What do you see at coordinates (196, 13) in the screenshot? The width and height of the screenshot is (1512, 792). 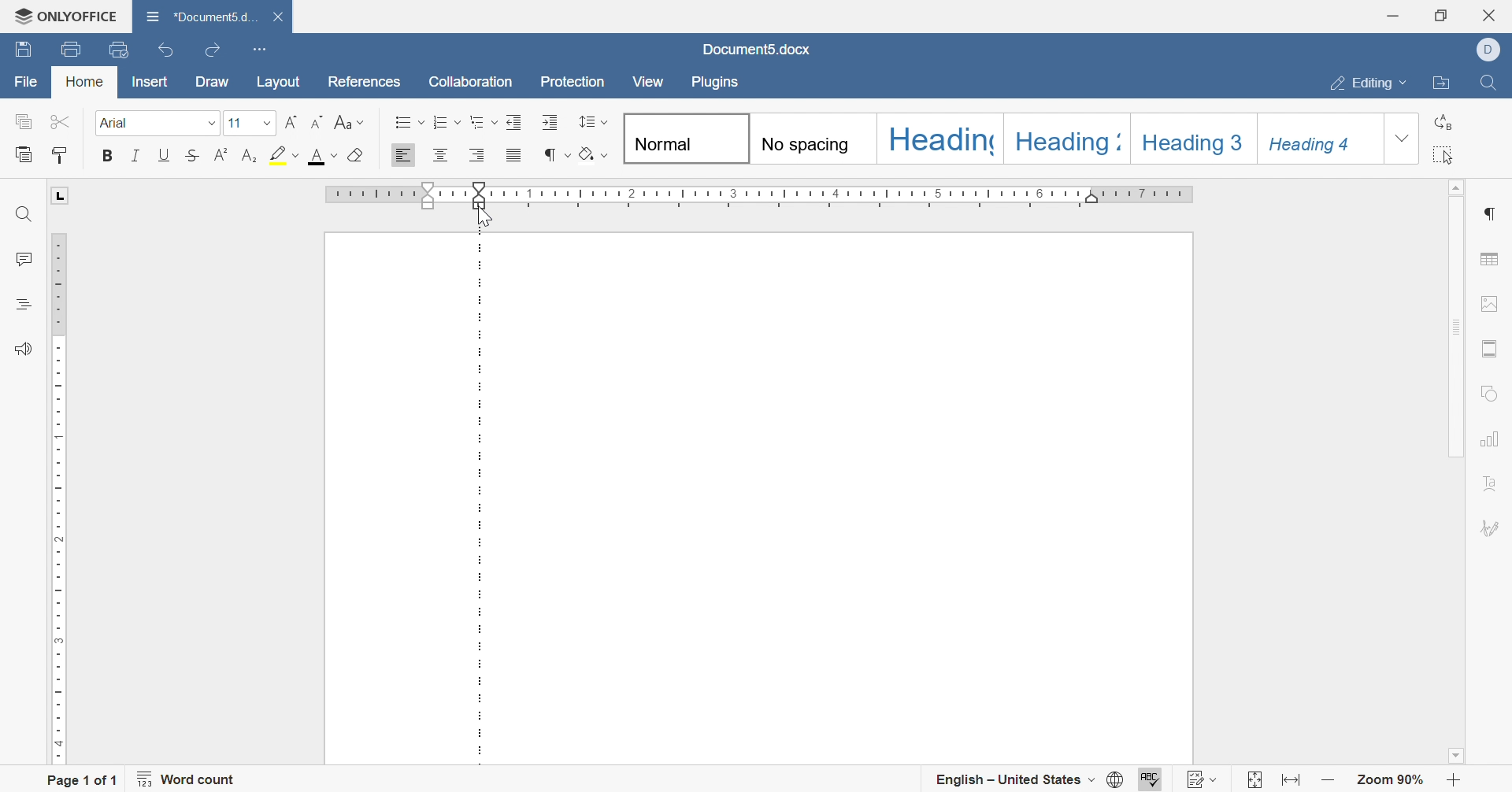 I see `document5.docx` at bounding box center [196, 13].